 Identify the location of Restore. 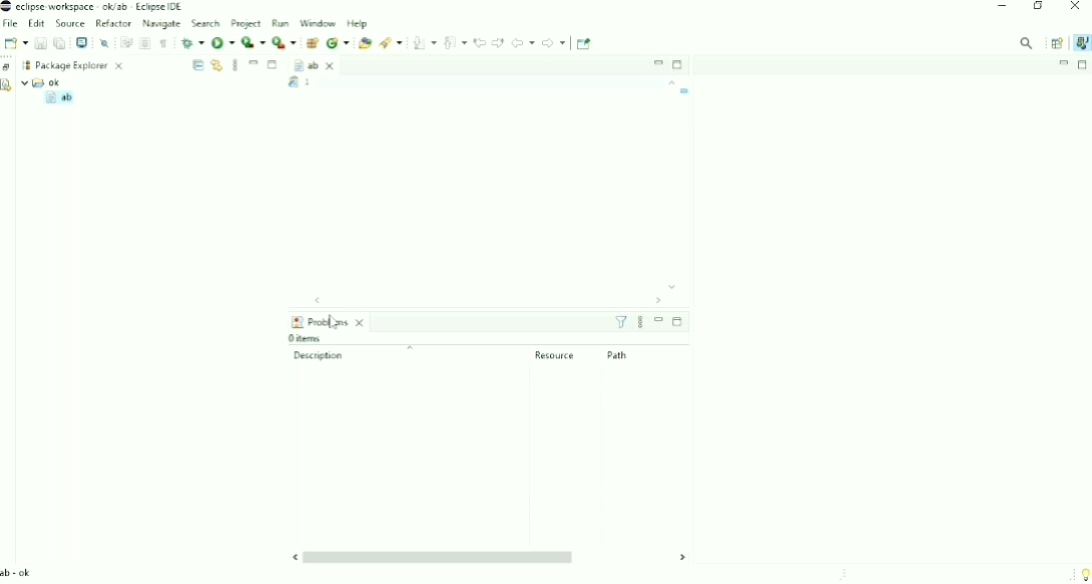
(8, 68).